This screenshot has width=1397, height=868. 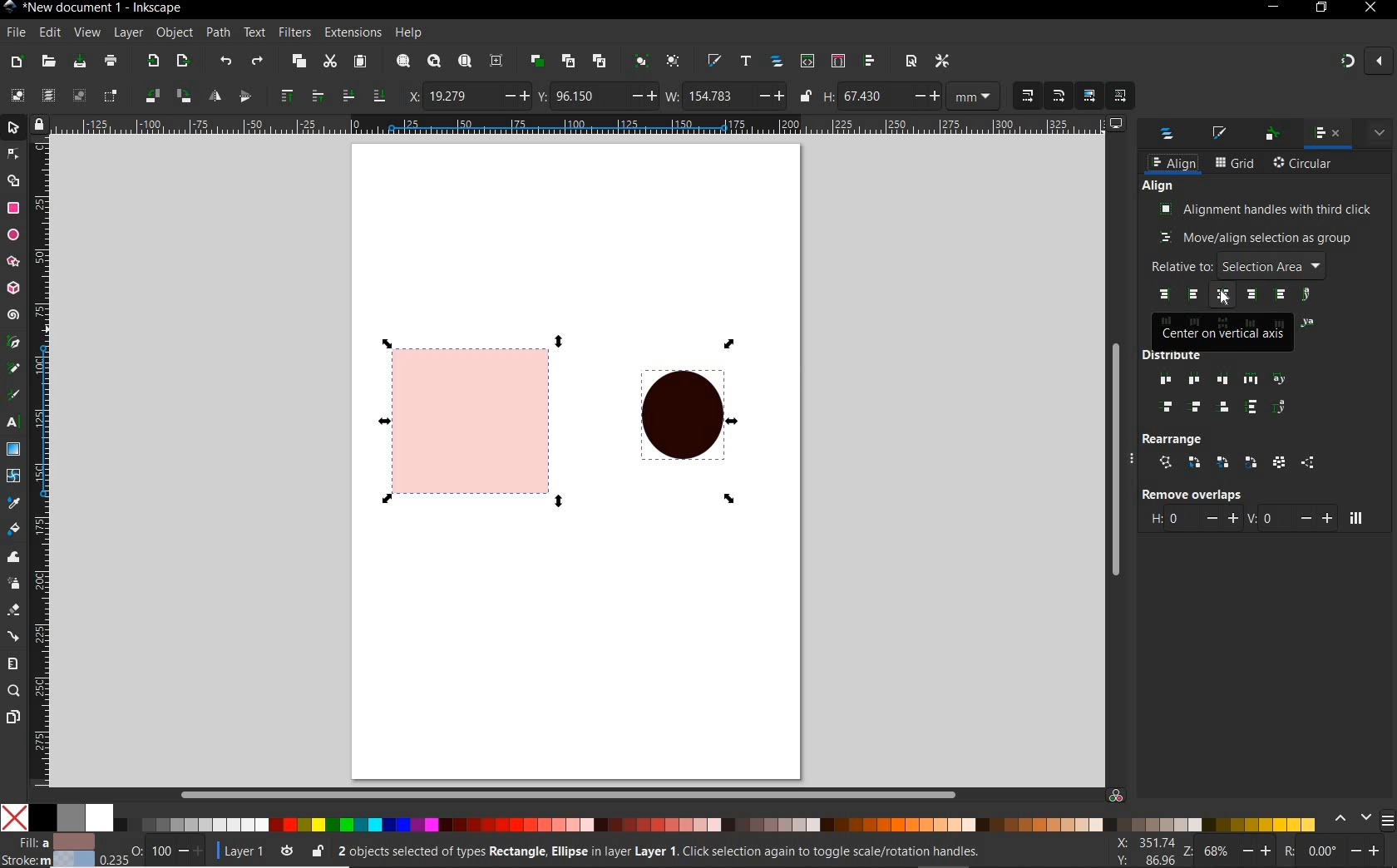 I want to click on rearrange, so click(x=1176, y=437).